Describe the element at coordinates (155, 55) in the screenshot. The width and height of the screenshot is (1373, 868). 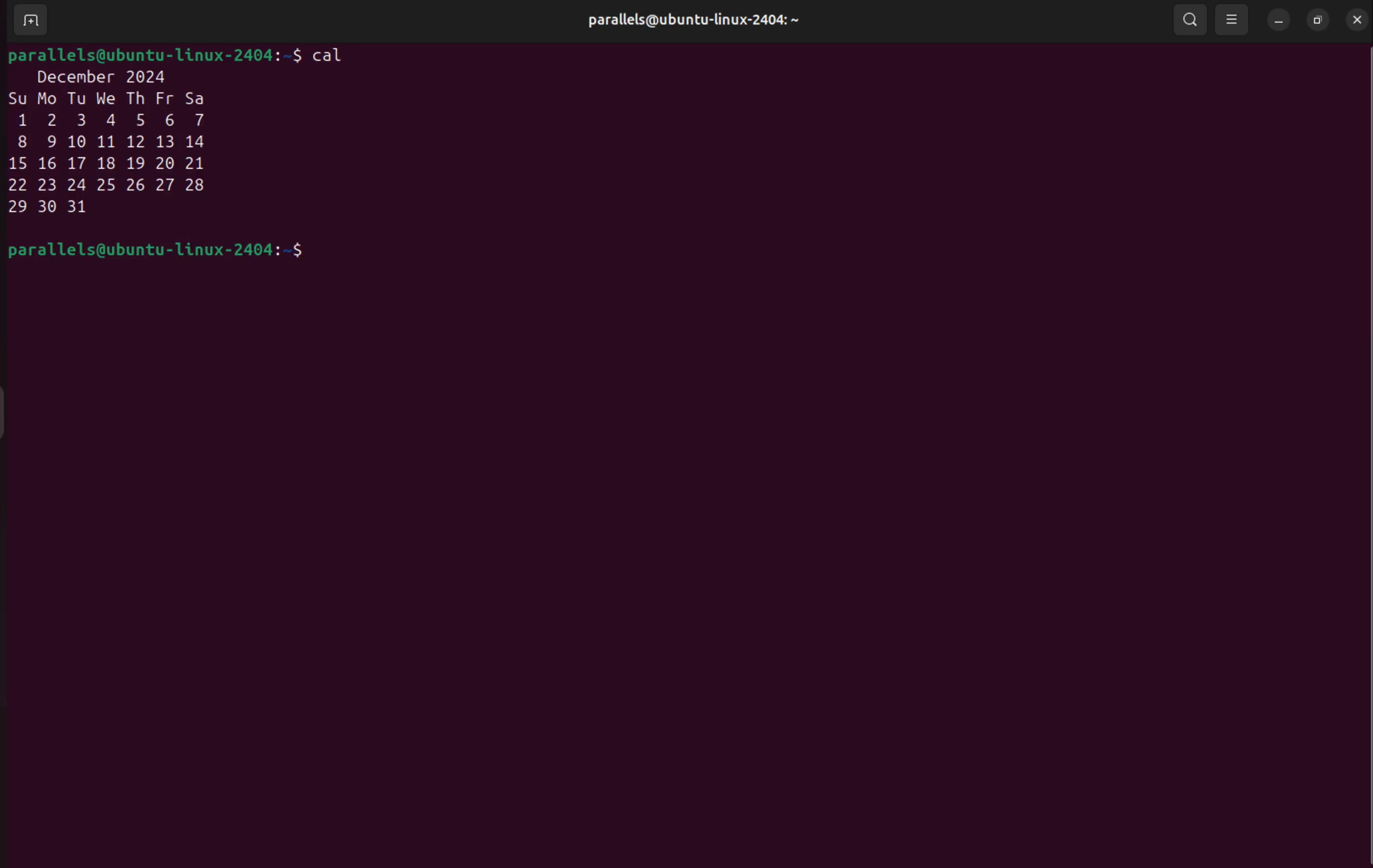
I see `parallels@ubuntu-1linux-2404:-$` at that location.